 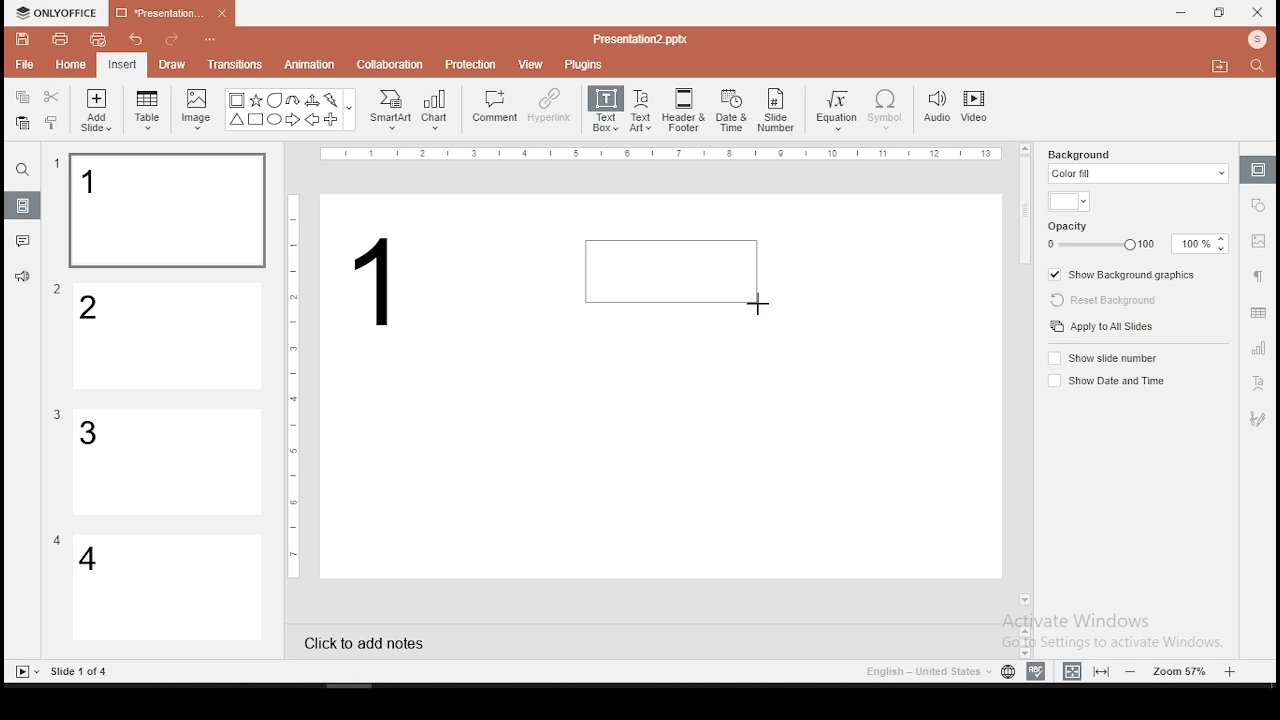 What do you see at coordinates (23, 38) in the screenshot?
I see `save` at bounding box center [23, 38].